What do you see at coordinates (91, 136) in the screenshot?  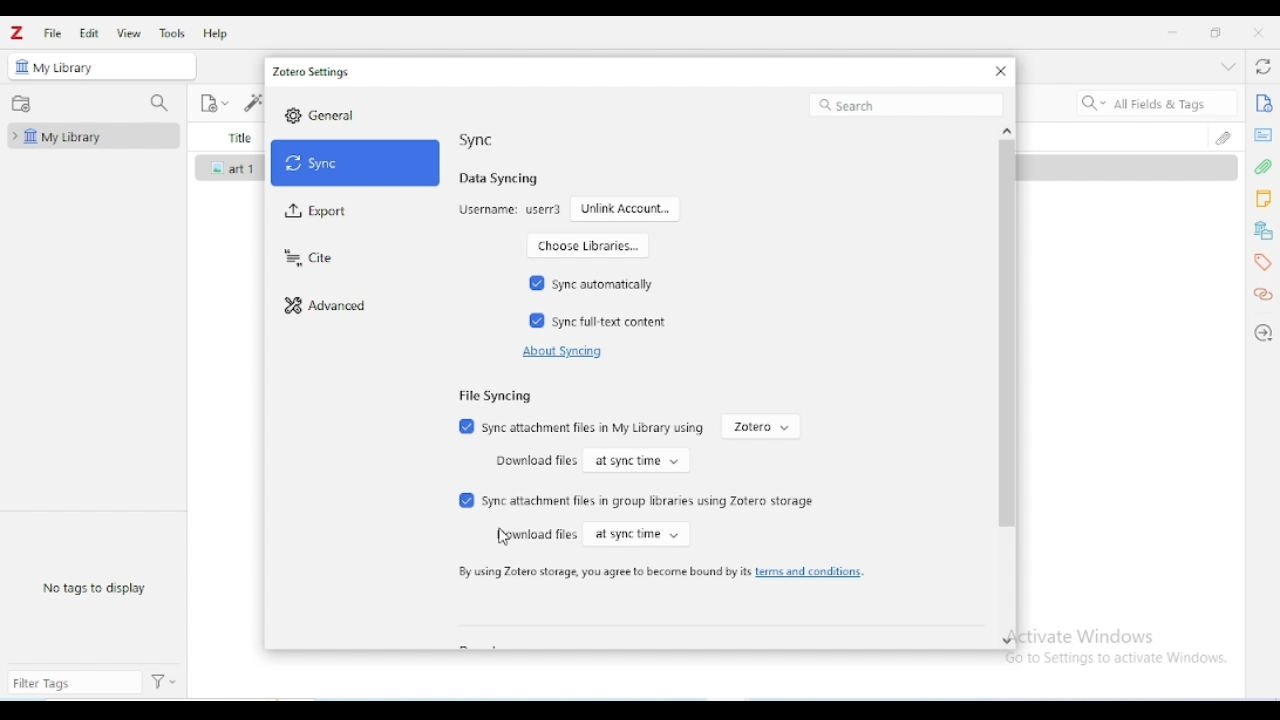 I see `my library` at bounding box center [91, 136].